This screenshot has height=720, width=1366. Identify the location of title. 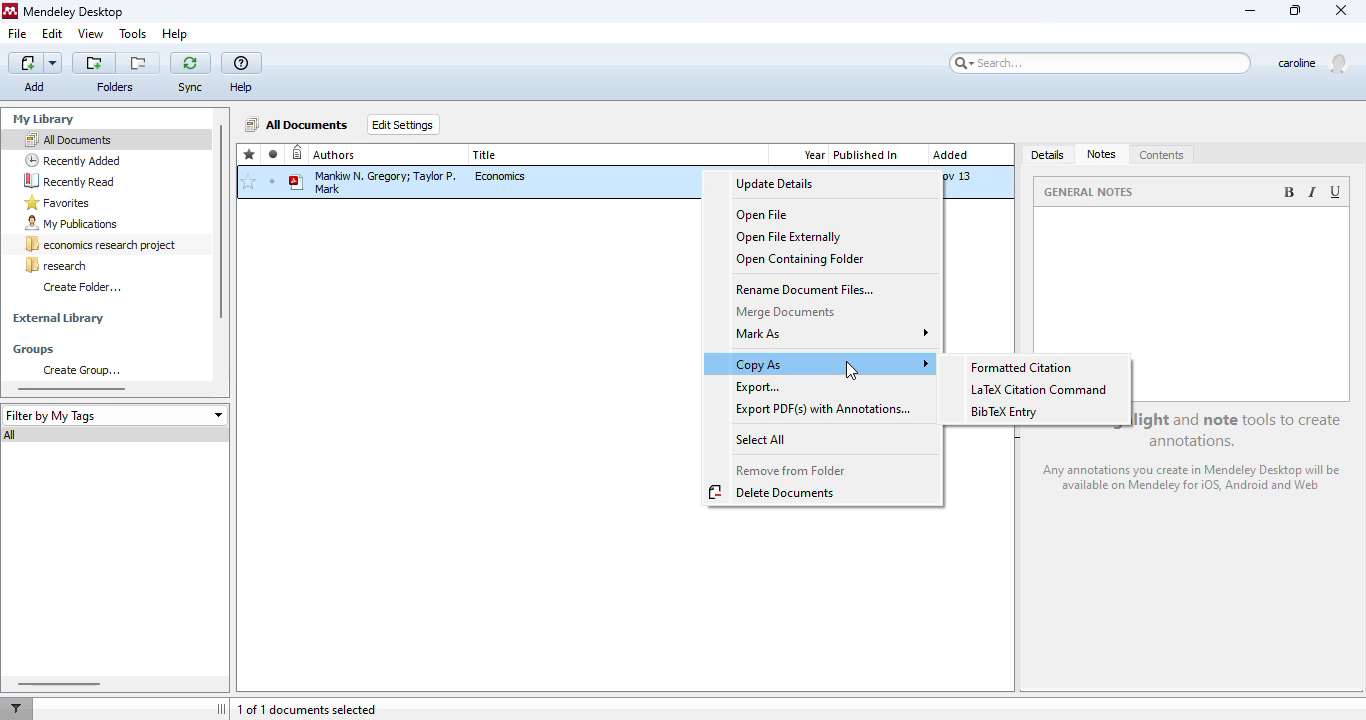
(486, 155).